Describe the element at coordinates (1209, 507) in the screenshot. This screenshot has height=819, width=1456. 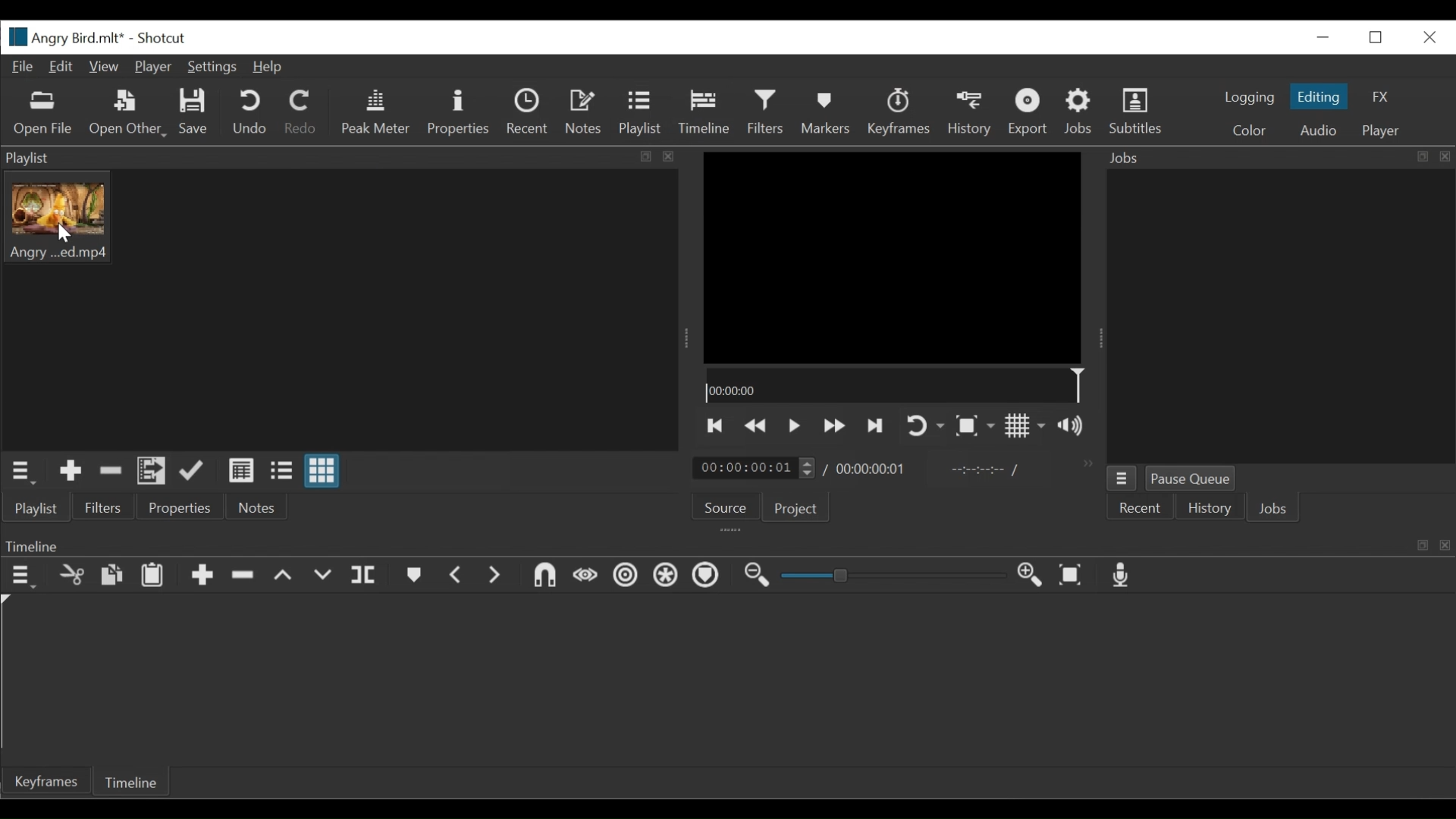
I see `History` at that location.